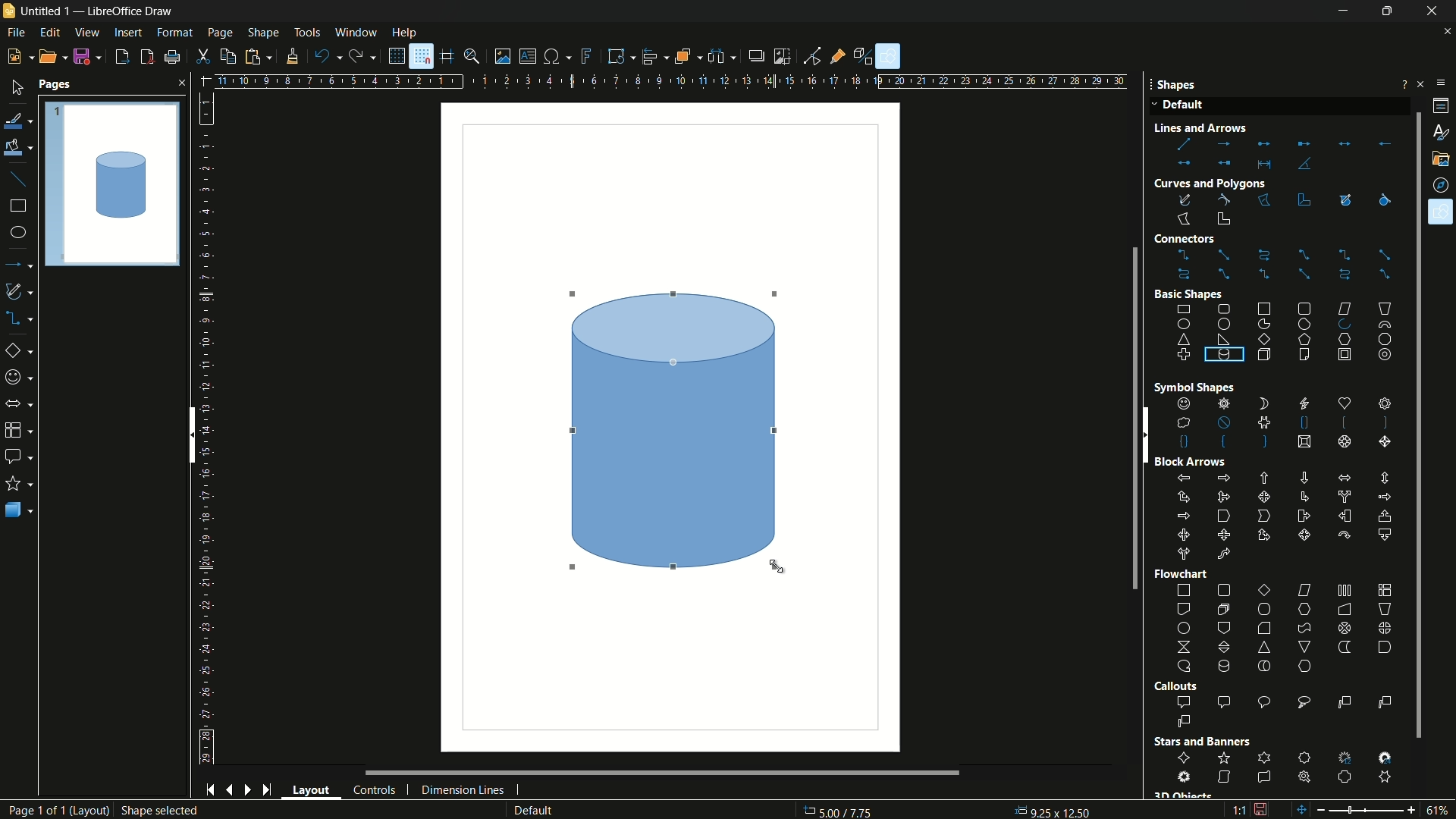 Image resolution: width=1456 pixels, height=819 pixels. What do you see at coordinates (1281, 153) in the screenshot?
I see `lines and arrows` at bounding box center [1281, 153].